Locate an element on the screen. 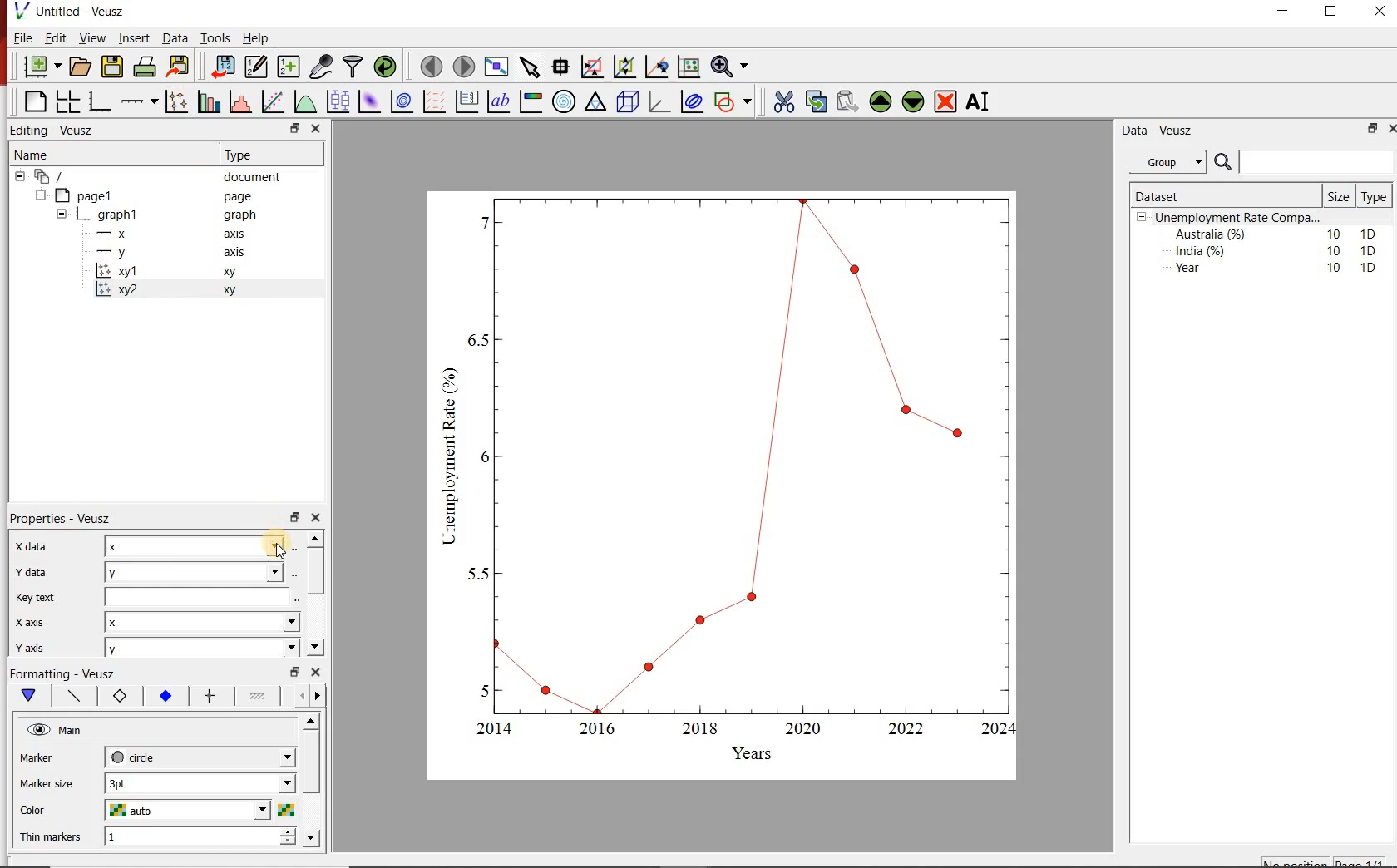  xy 1 xy is located at coordinates (195, 271).